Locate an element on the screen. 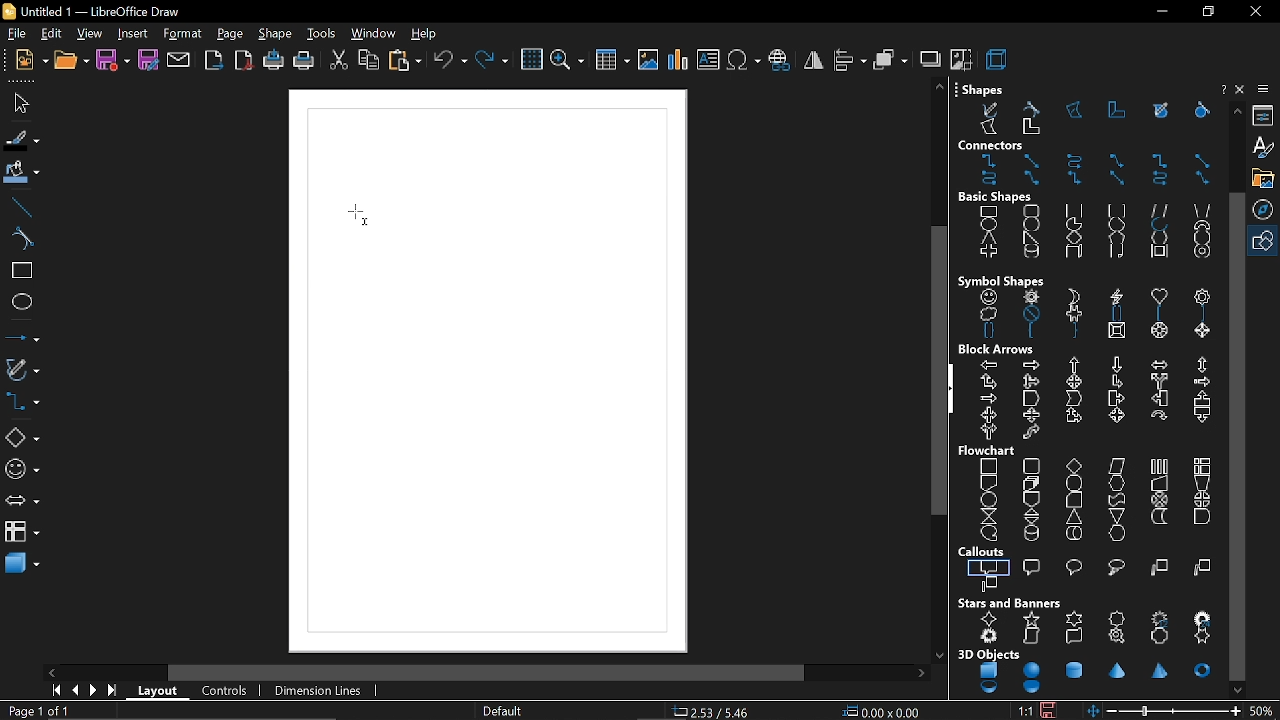 The image size is (1280, 720). prohibited is located at coordinates (1028, 315).